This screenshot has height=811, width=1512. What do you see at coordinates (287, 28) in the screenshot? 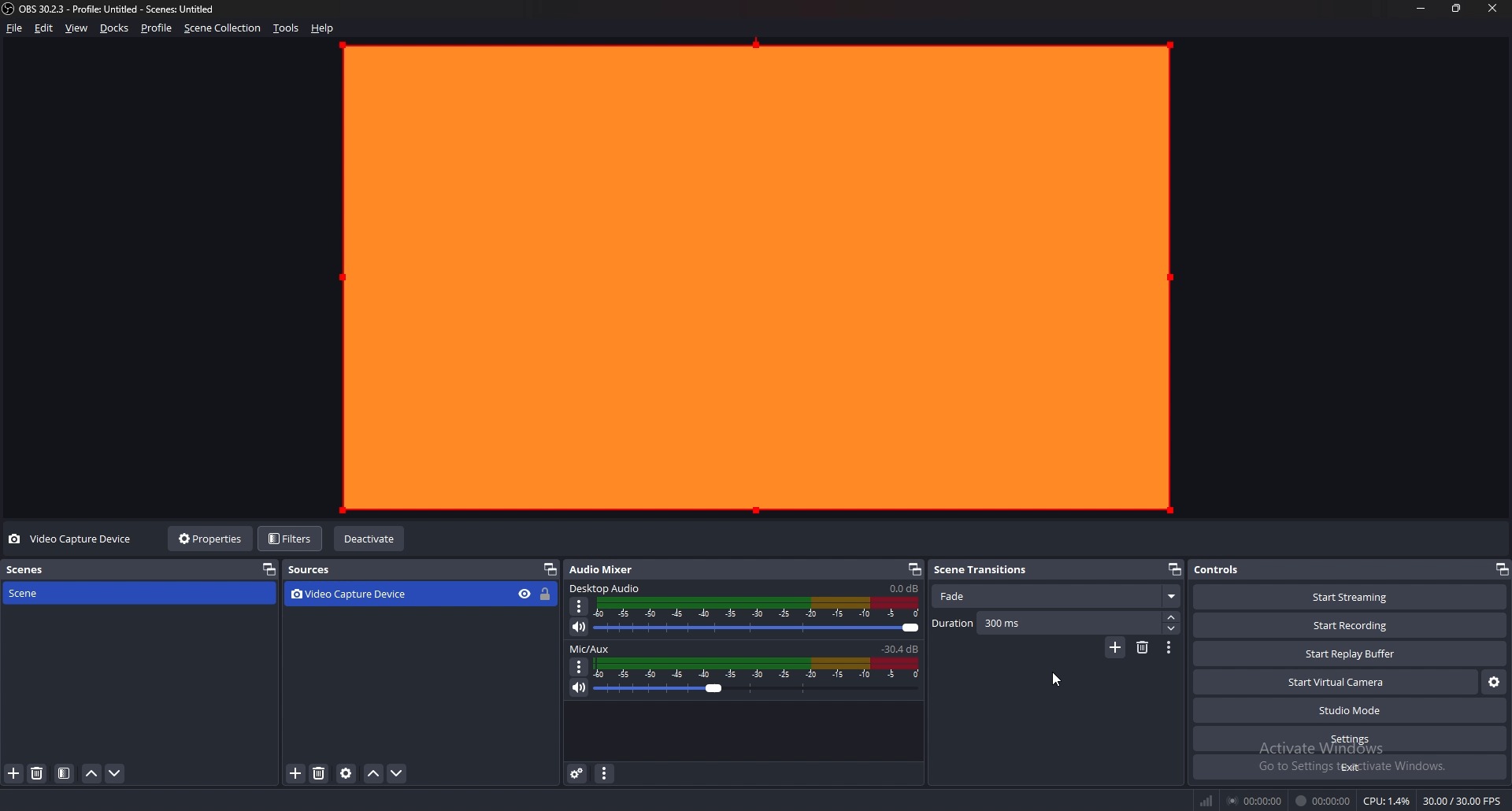
I see `tools` at bounding box center [287, 28].